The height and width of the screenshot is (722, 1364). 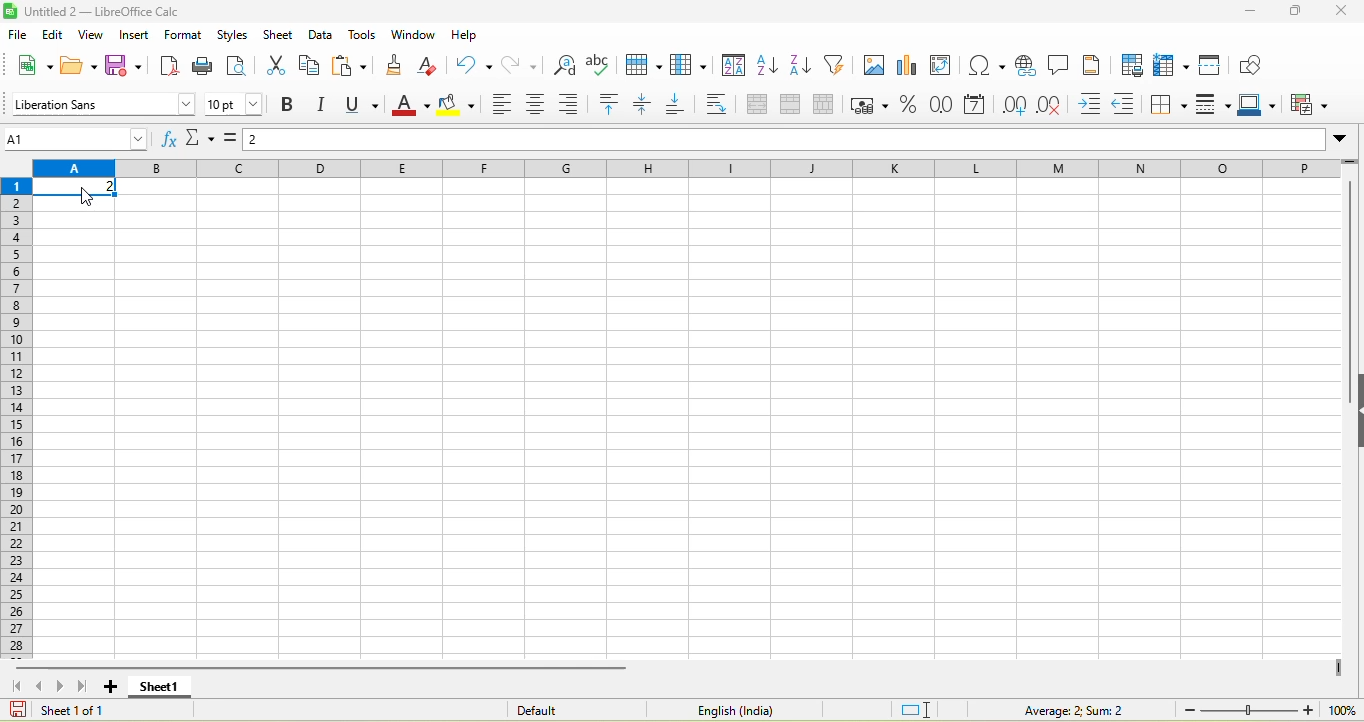 I want to click on print preview, so click(x=241, y=67).